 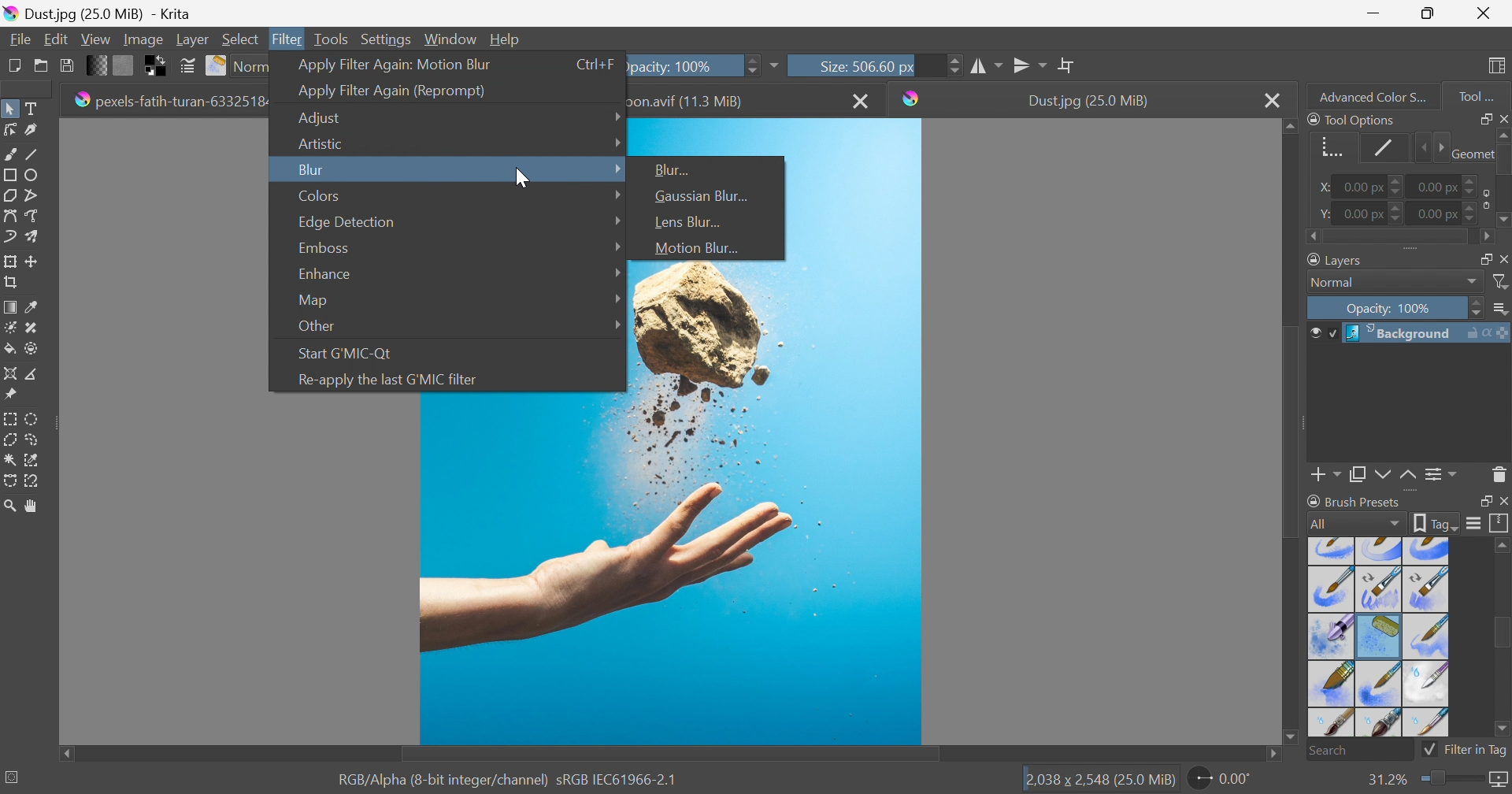 I want to click on View, so click(x=95, y=37).